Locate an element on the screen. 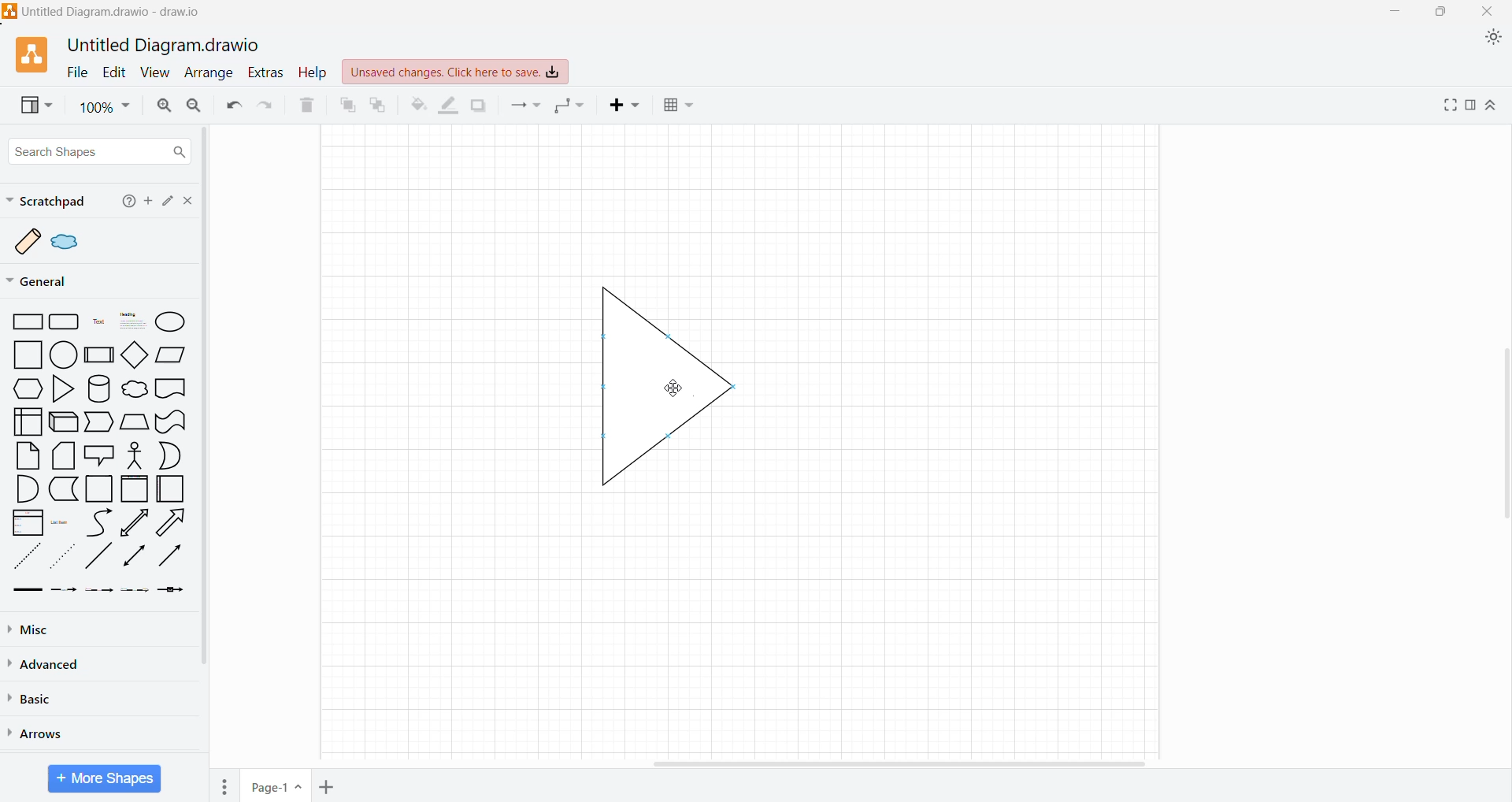 The image size is (1512, 802). Table is located at coordinates (680, 106).